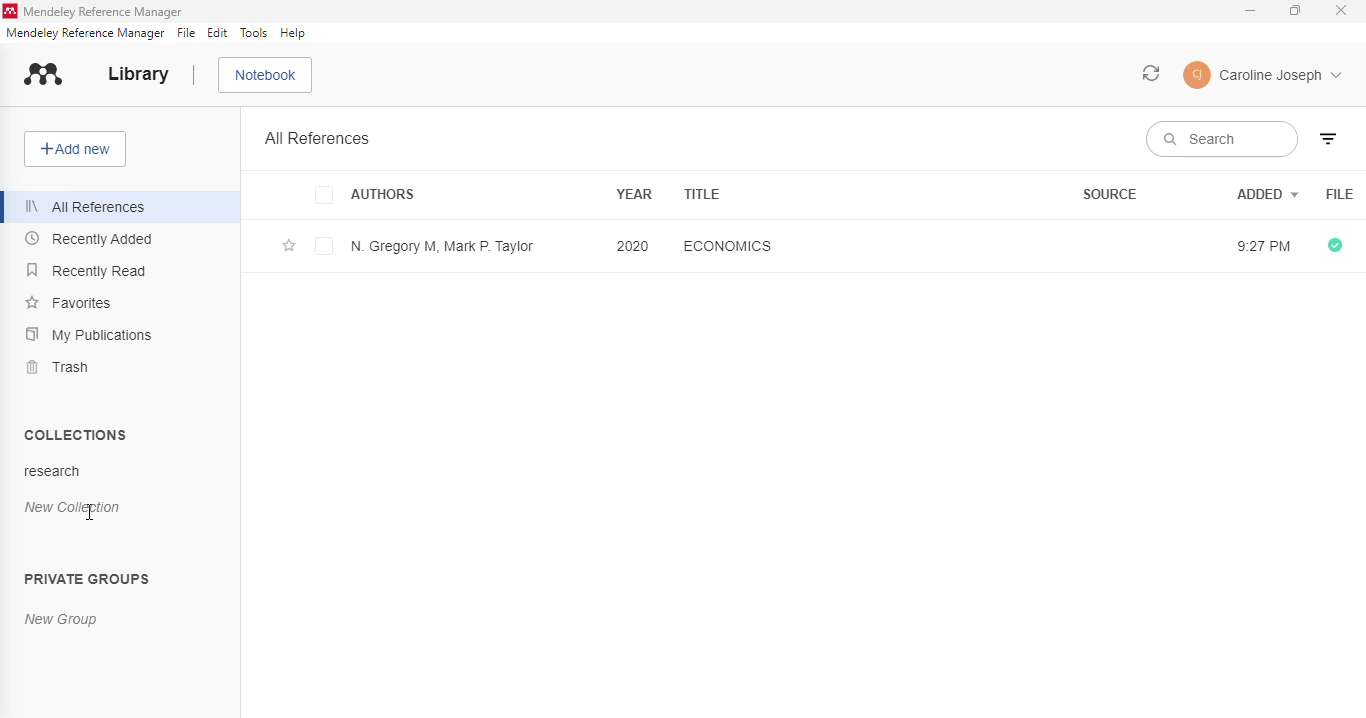  Describe the element at coordinates (52, 471) in the screenshot. I see `research` at that location.